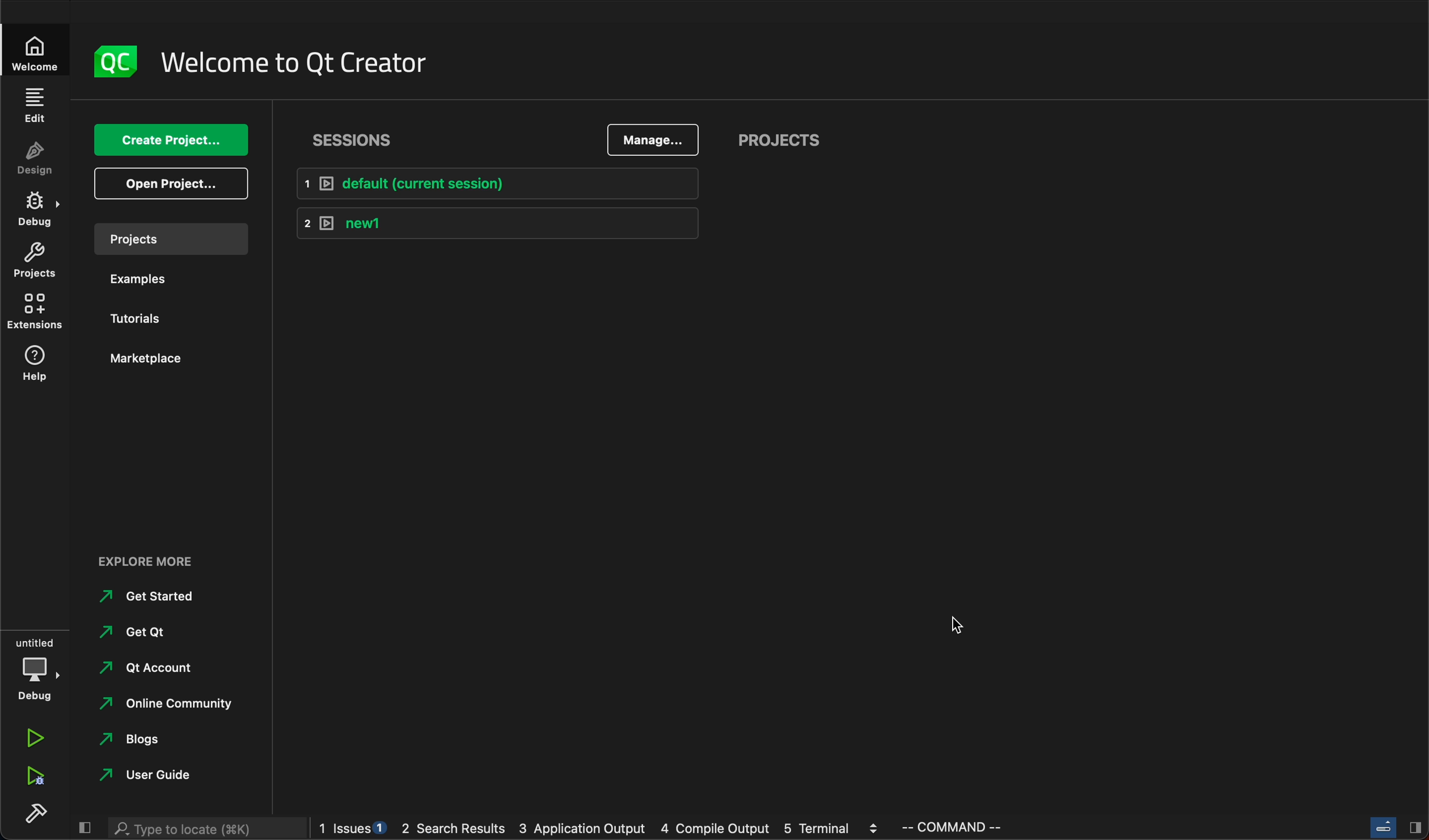  What do you see at coordinates (34, 262) in the screenshot?
I see `projects` at bounding box center [34, 262].